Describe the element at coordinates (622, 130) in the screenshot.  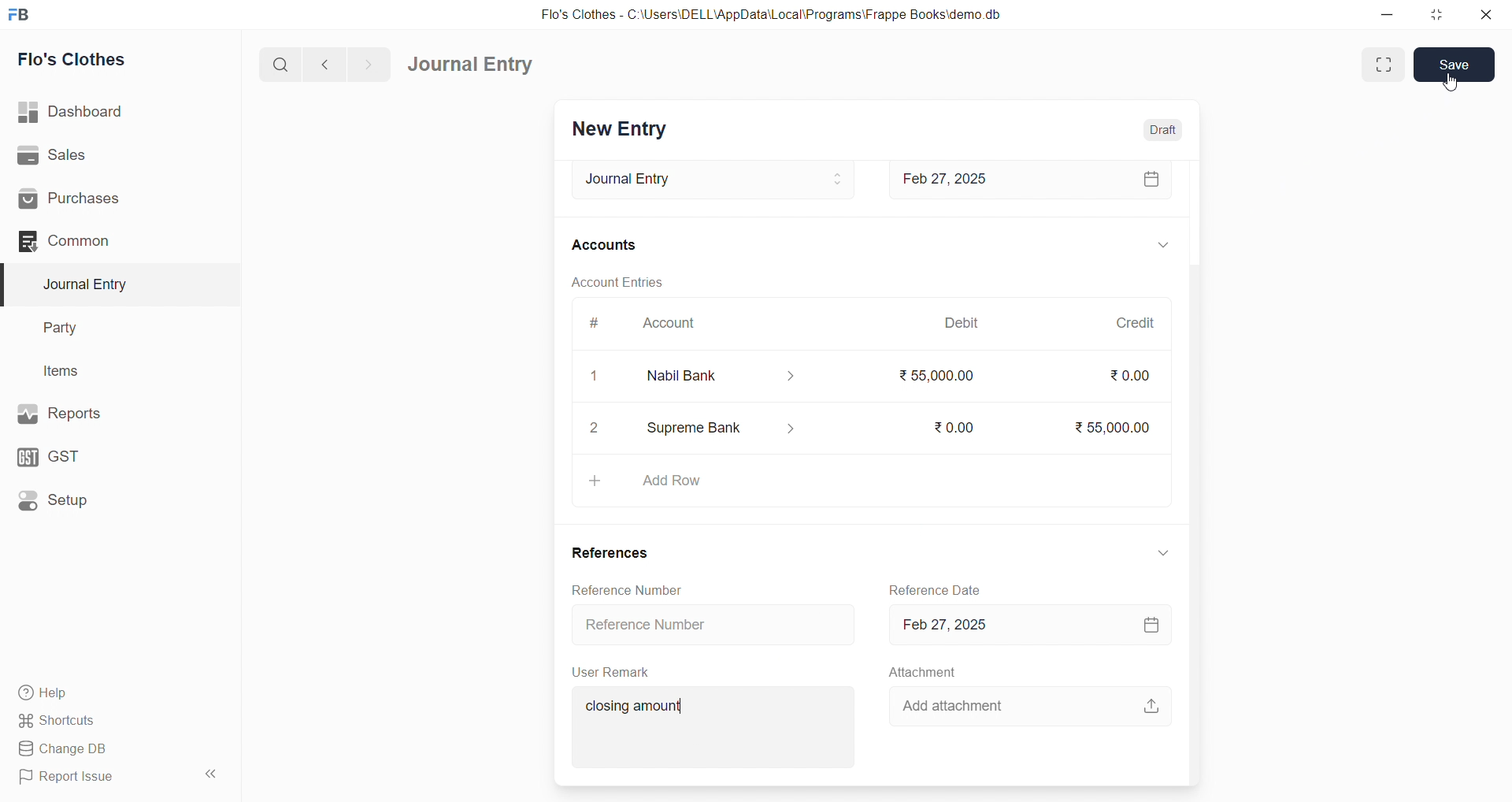
I see `New Entry` at that location.